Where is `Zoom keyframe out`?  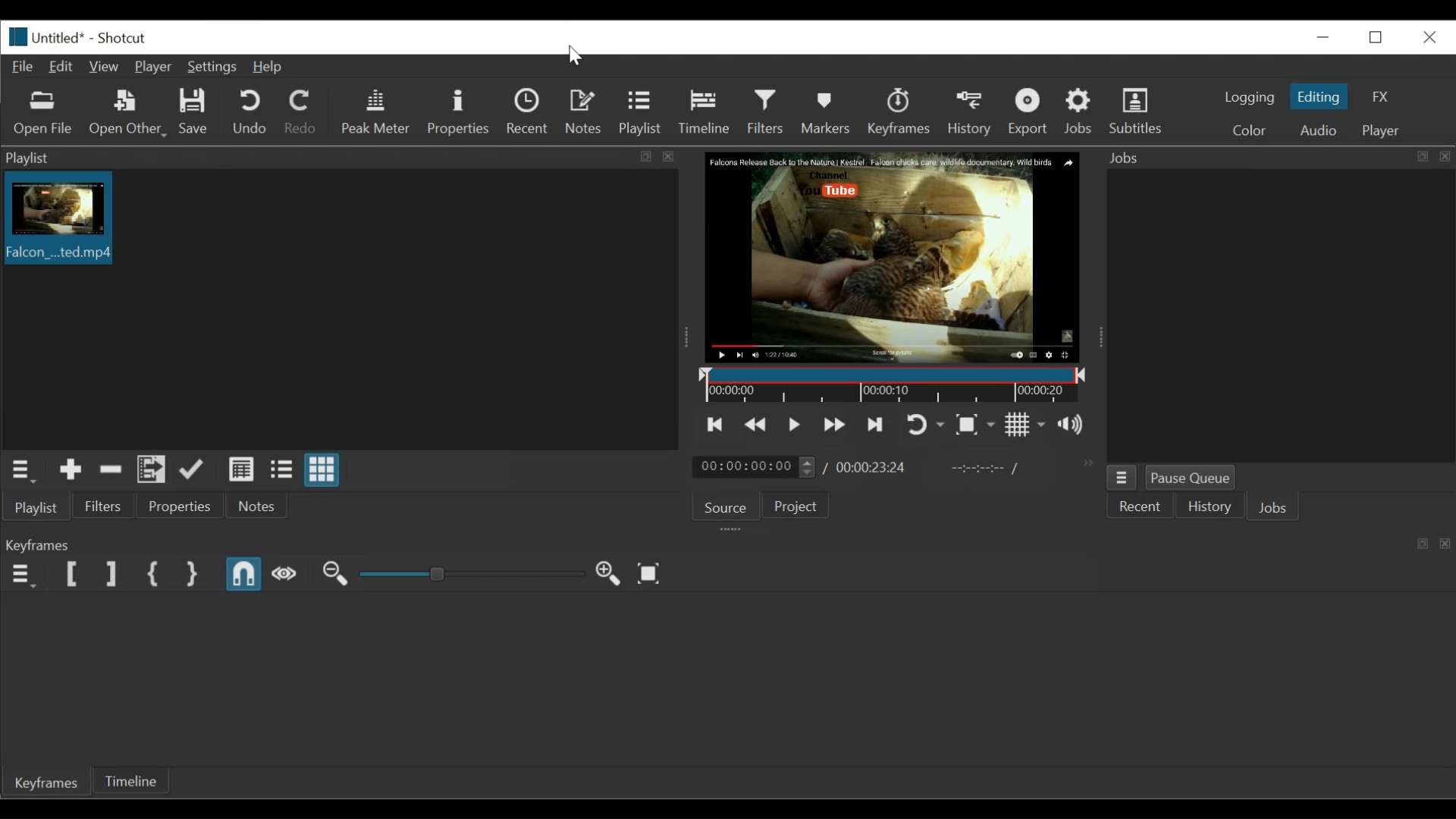
Zoom keyframe out is located at coordinates (609, 575).